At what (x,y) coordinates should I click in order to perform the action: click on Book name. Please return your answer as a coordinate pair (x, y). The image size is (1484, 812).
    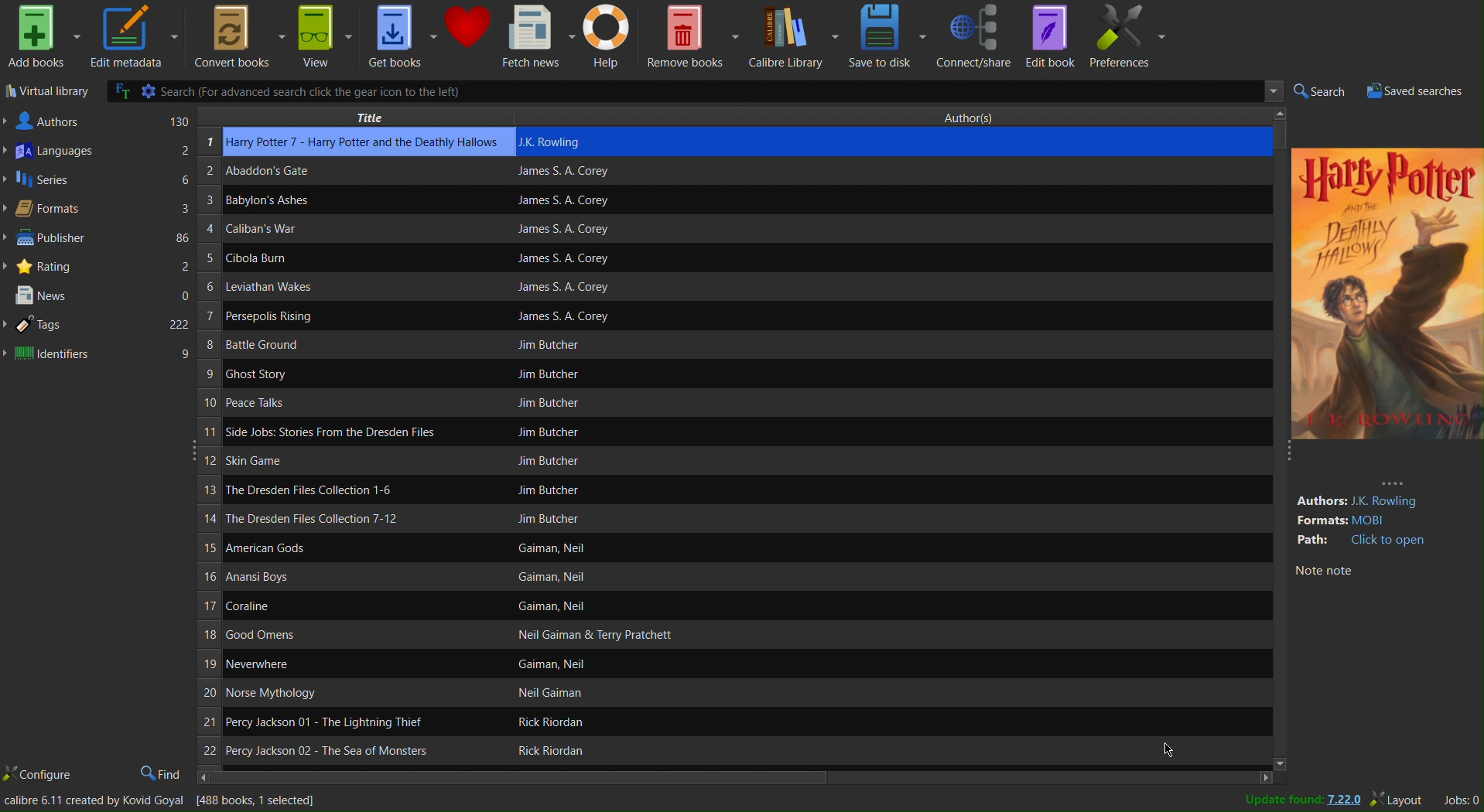
    Looking at the image, I should click on (288, 287).